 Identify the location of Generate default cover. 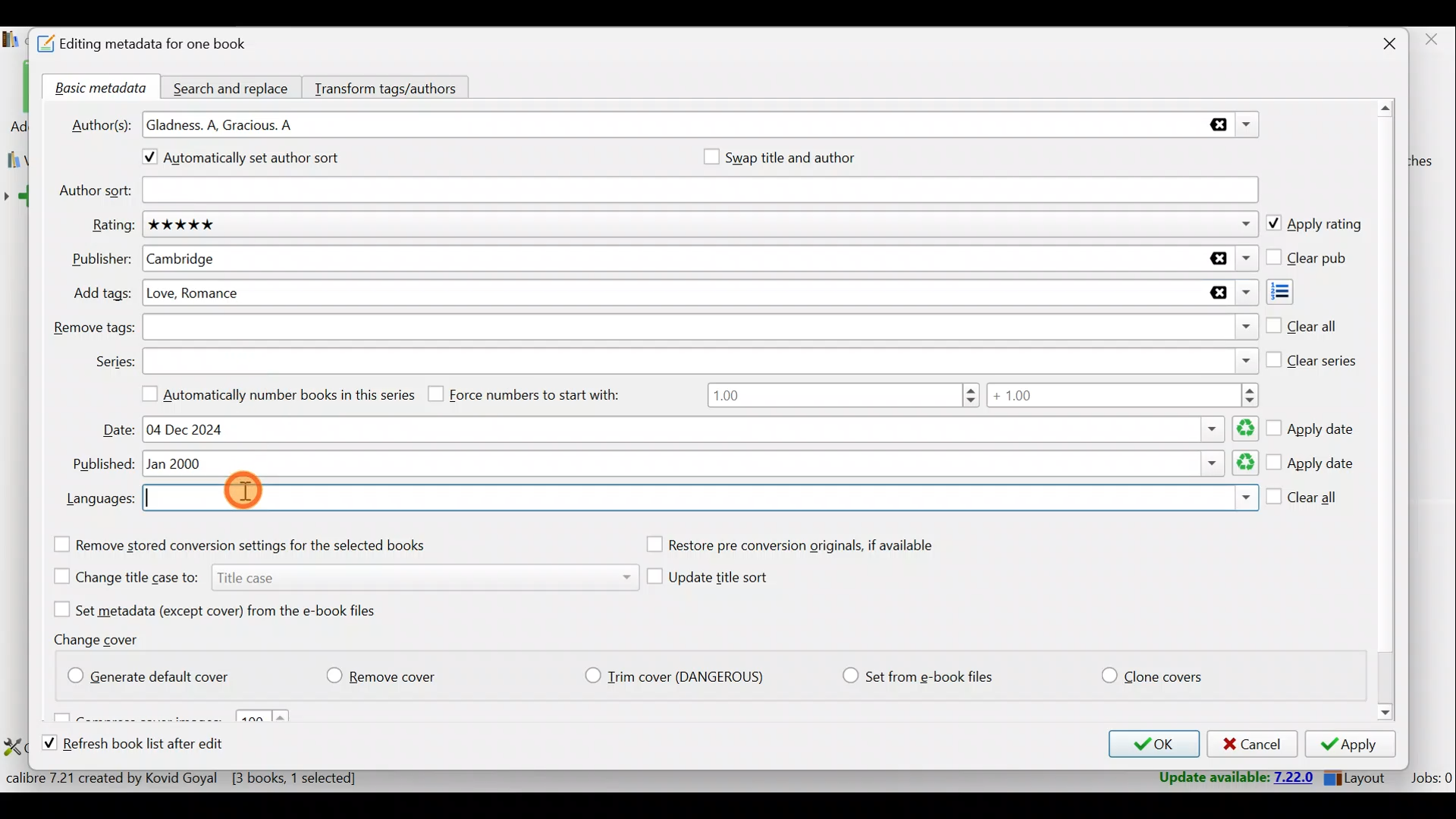
(156, 673).